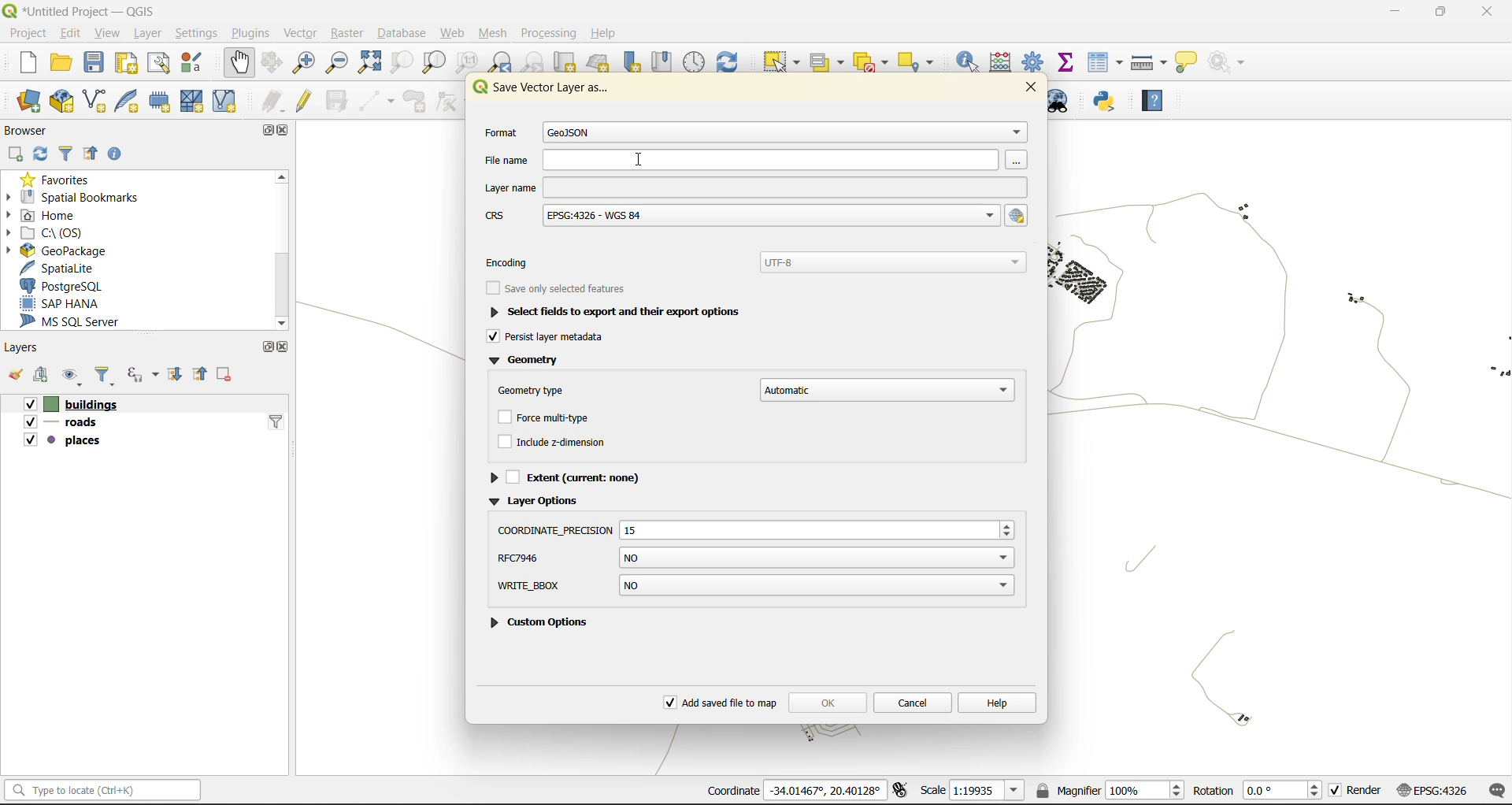  I want to click on close, so click(1027, 87).